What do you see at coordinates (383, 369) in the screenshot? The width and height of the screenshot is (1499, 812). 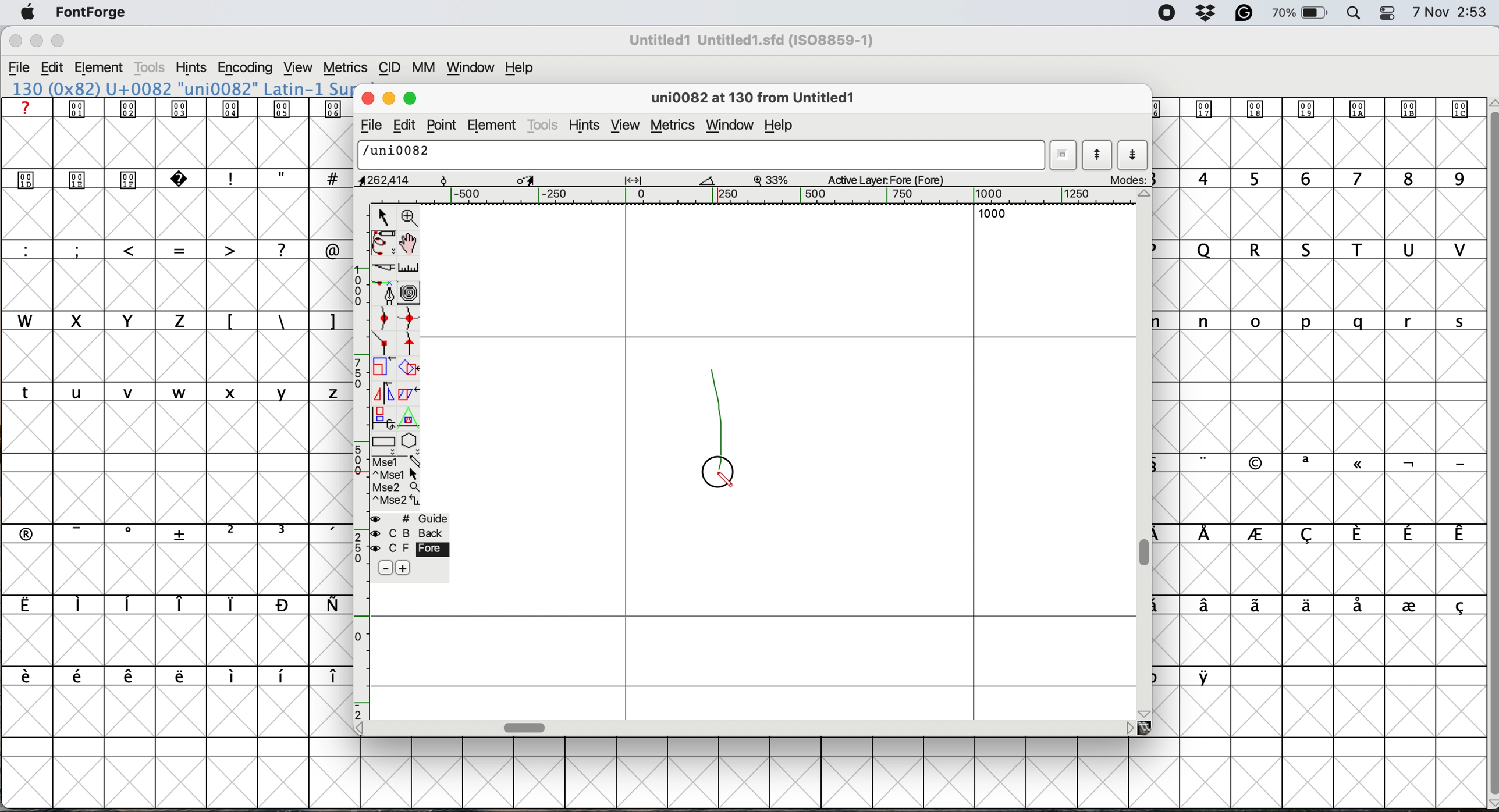 I see `scale selection` at bounding box center [383, 369].